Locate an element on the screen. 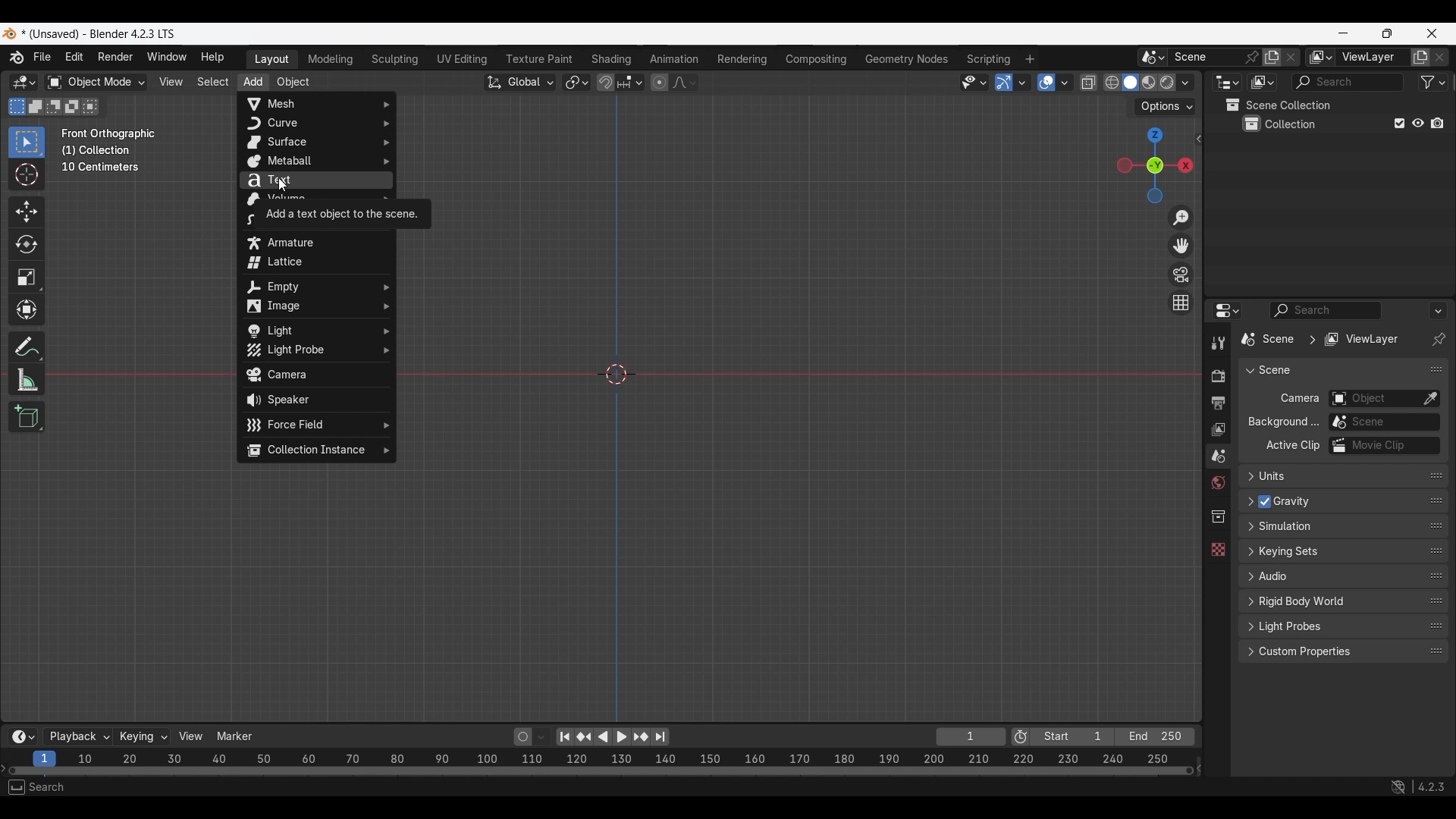  Keying is located at coordinates (142, 736).